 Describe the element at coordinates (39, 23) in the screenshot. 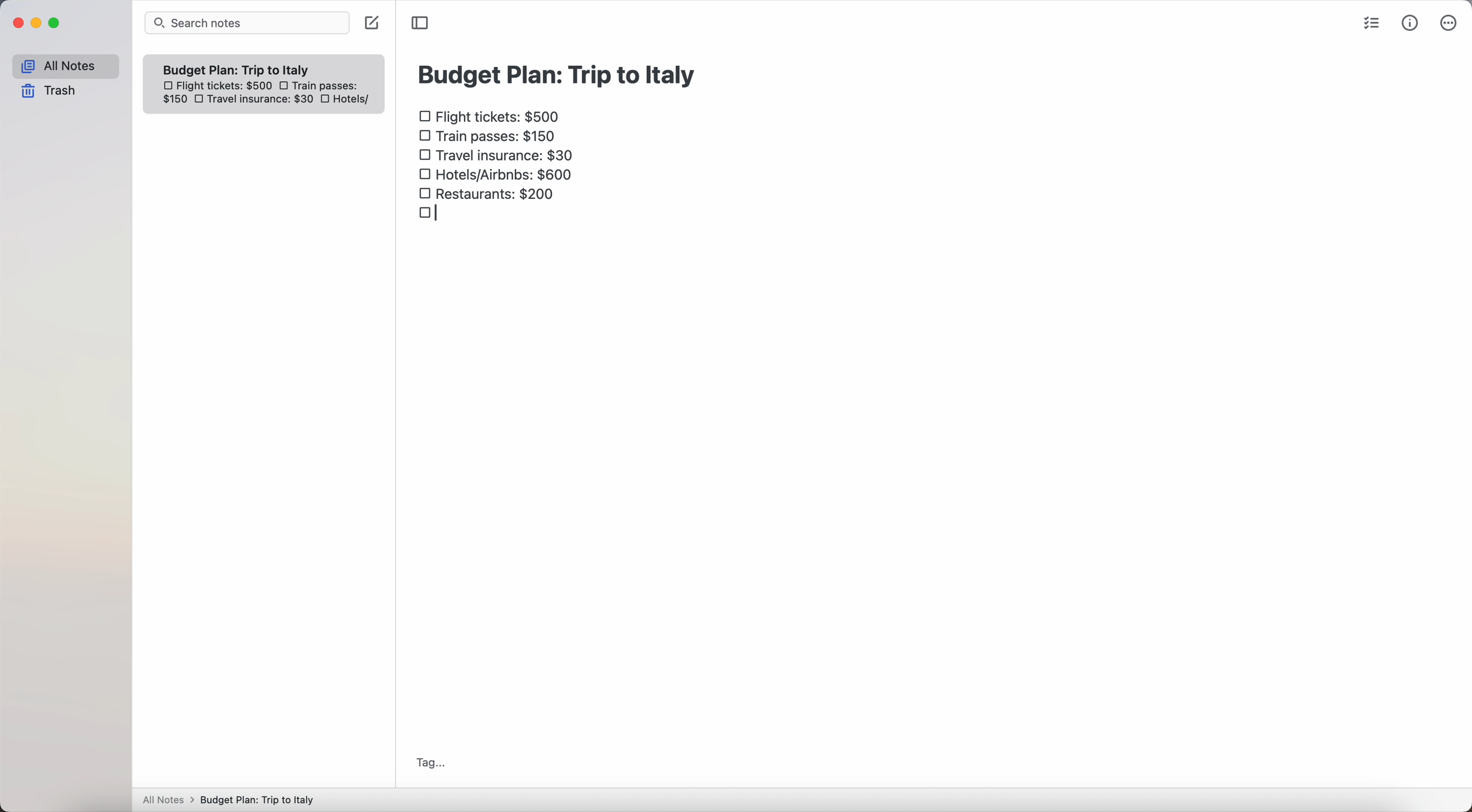

I see `minimize` at that location.